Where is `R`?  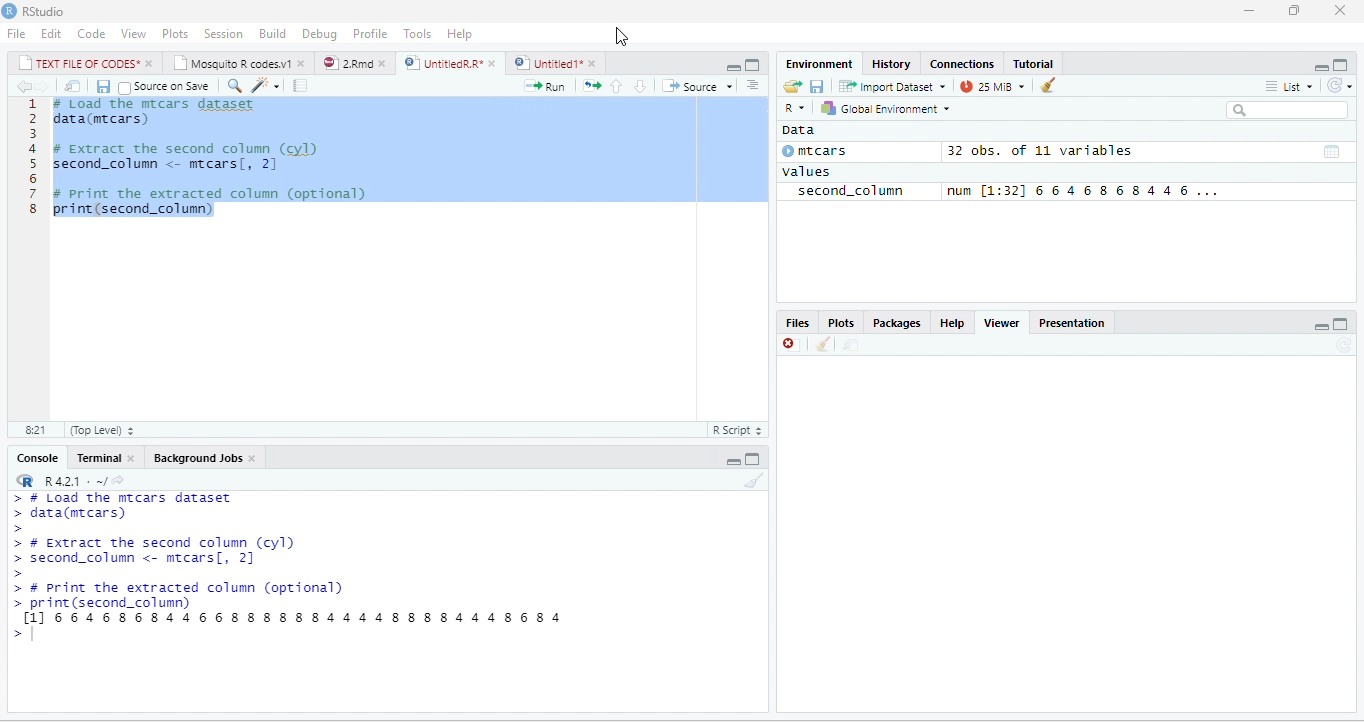 R is located at coordinates (798, 108).